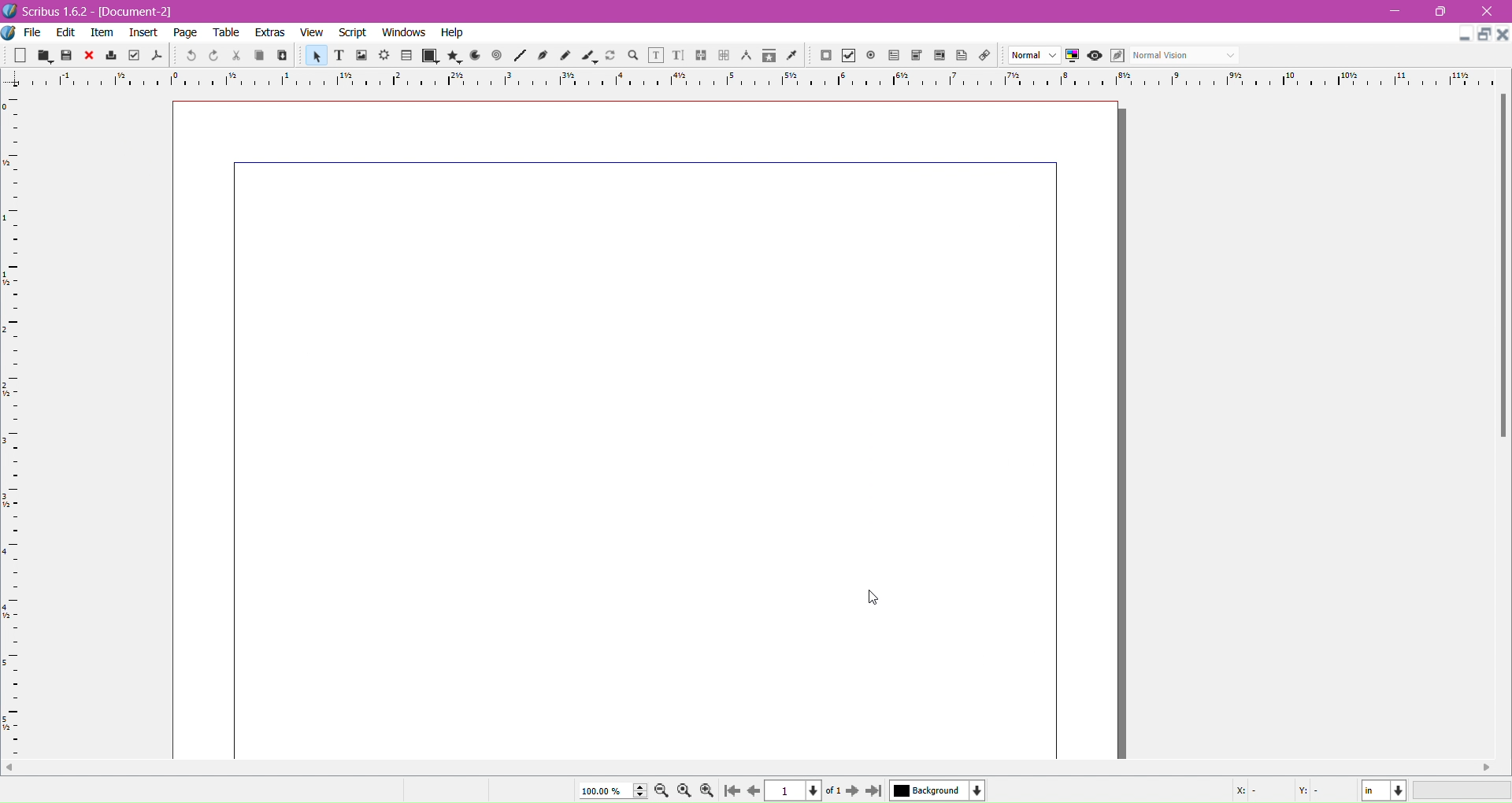 This screenshot has width=1512, height=803. What do you see at coordinates (455, 33) in the screenshot?
I see `Help` at bounding box center [455, 33].